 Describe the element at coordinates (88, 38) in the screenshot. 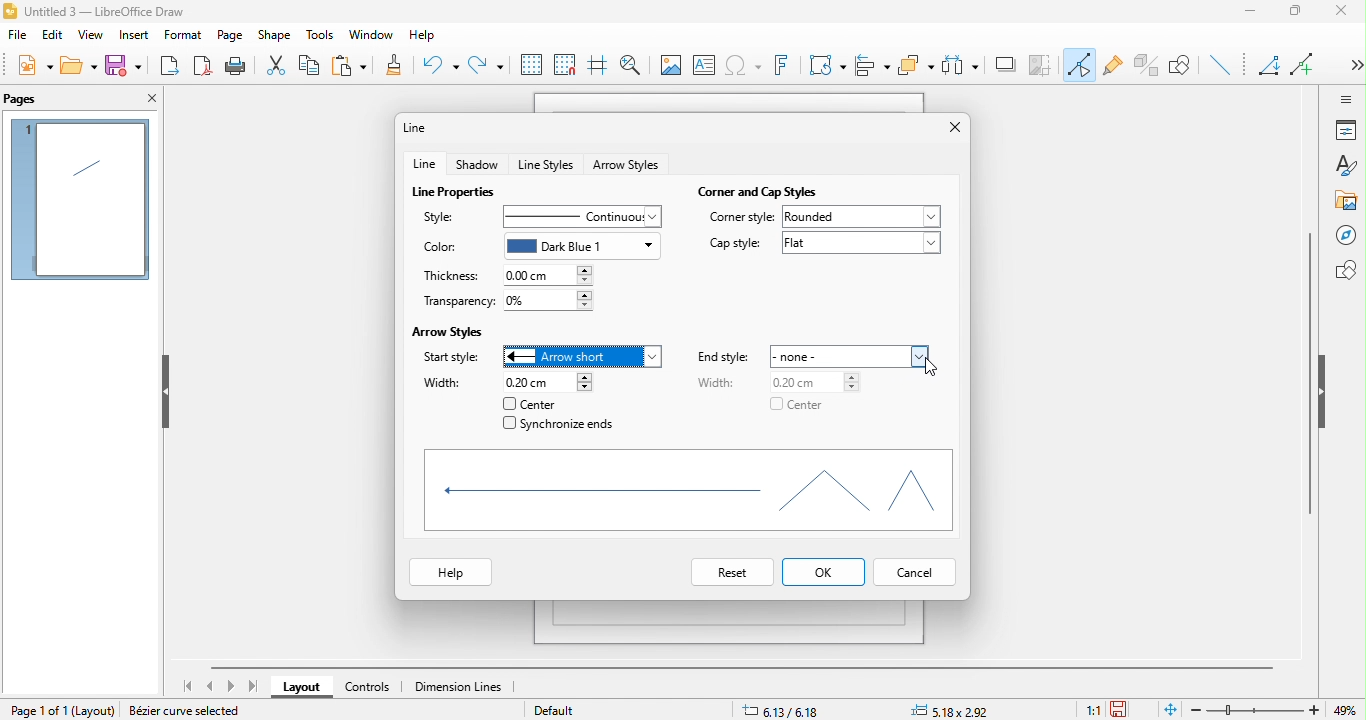

I see `view` at that location.